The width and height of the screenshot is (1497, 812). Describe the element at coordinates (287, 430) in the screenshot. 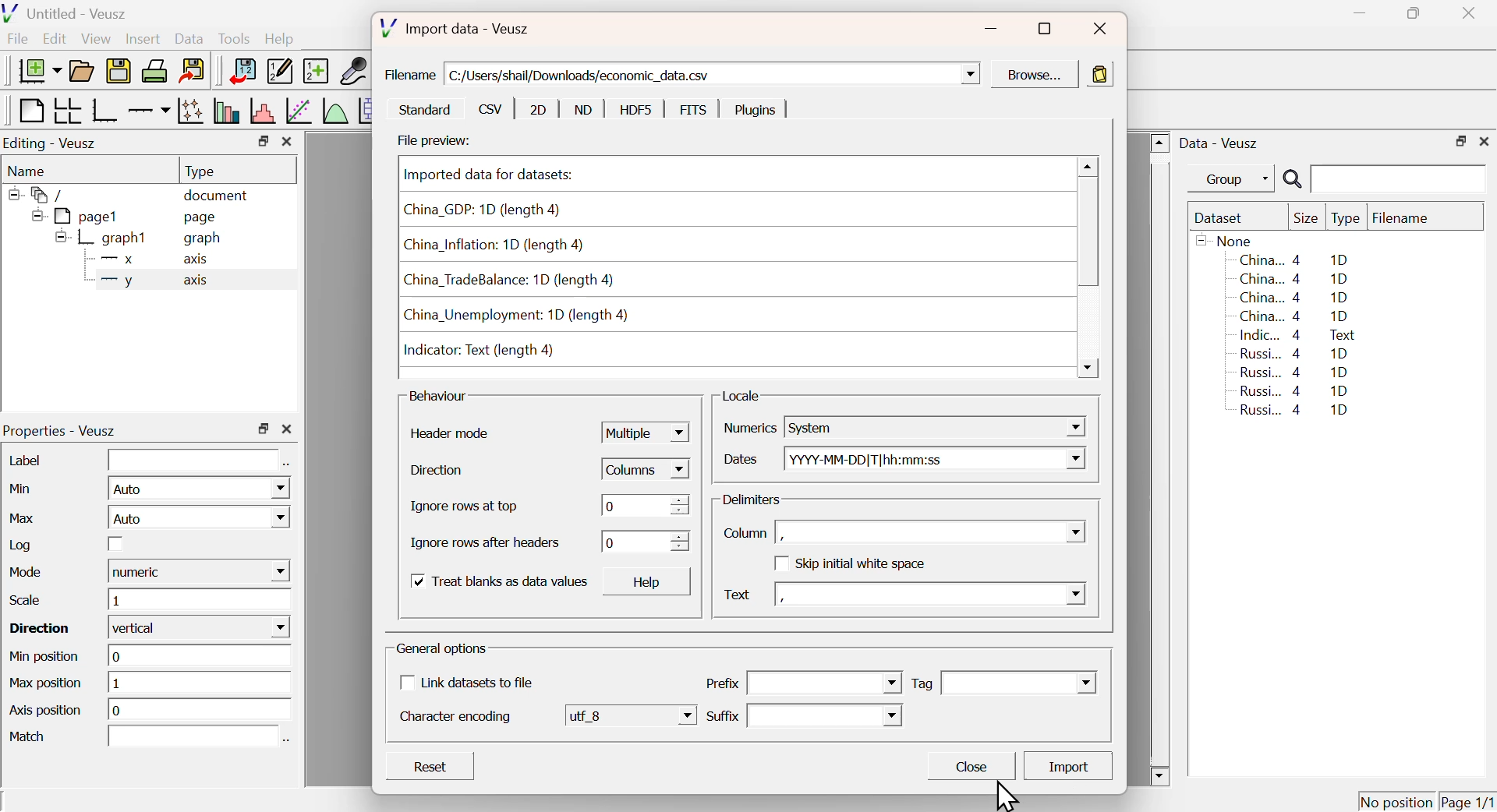

I see `Close` at that location.